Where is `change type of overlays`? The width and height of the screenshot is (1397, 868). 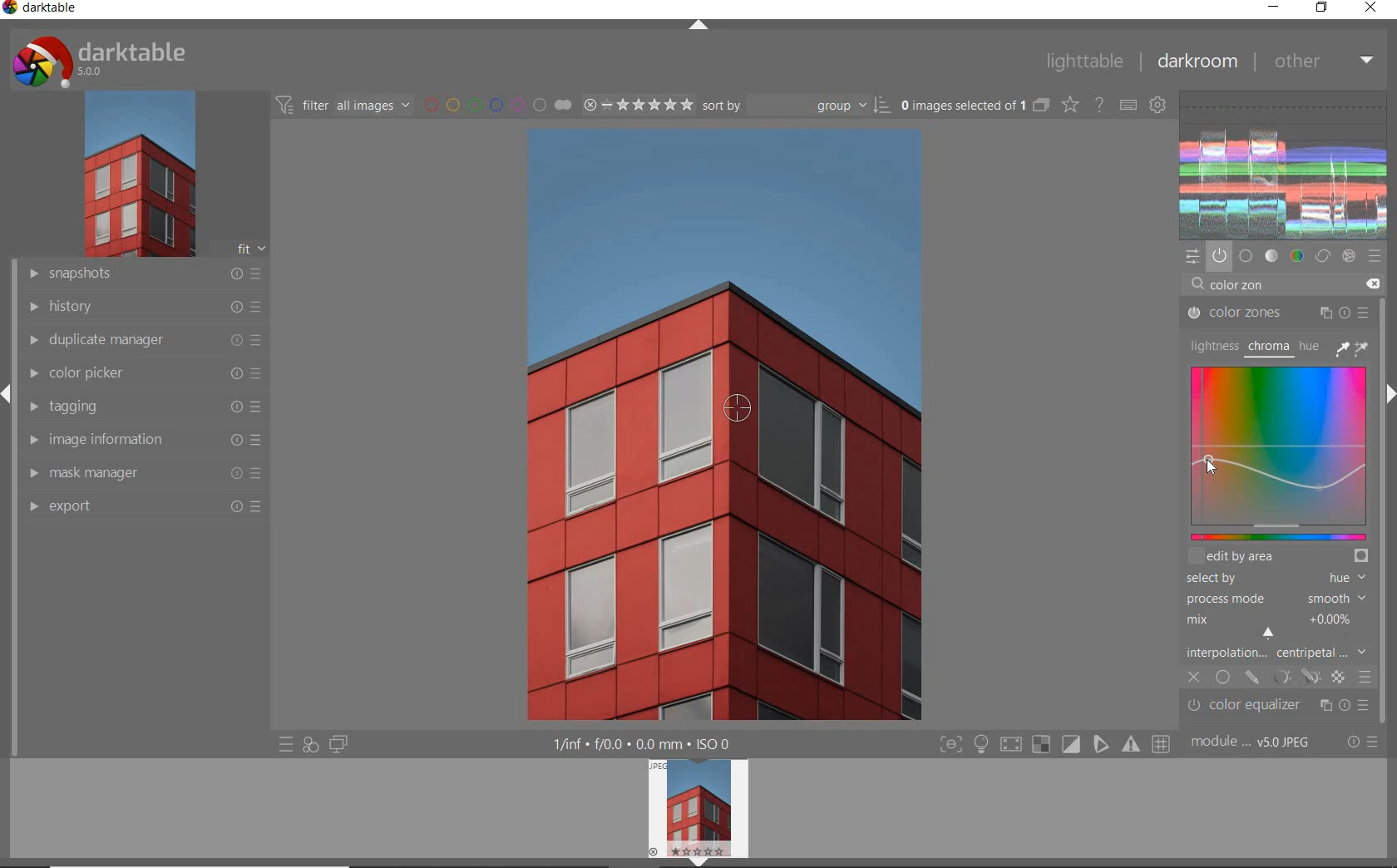
change type of overlays is located at coordinates (1072, 106).